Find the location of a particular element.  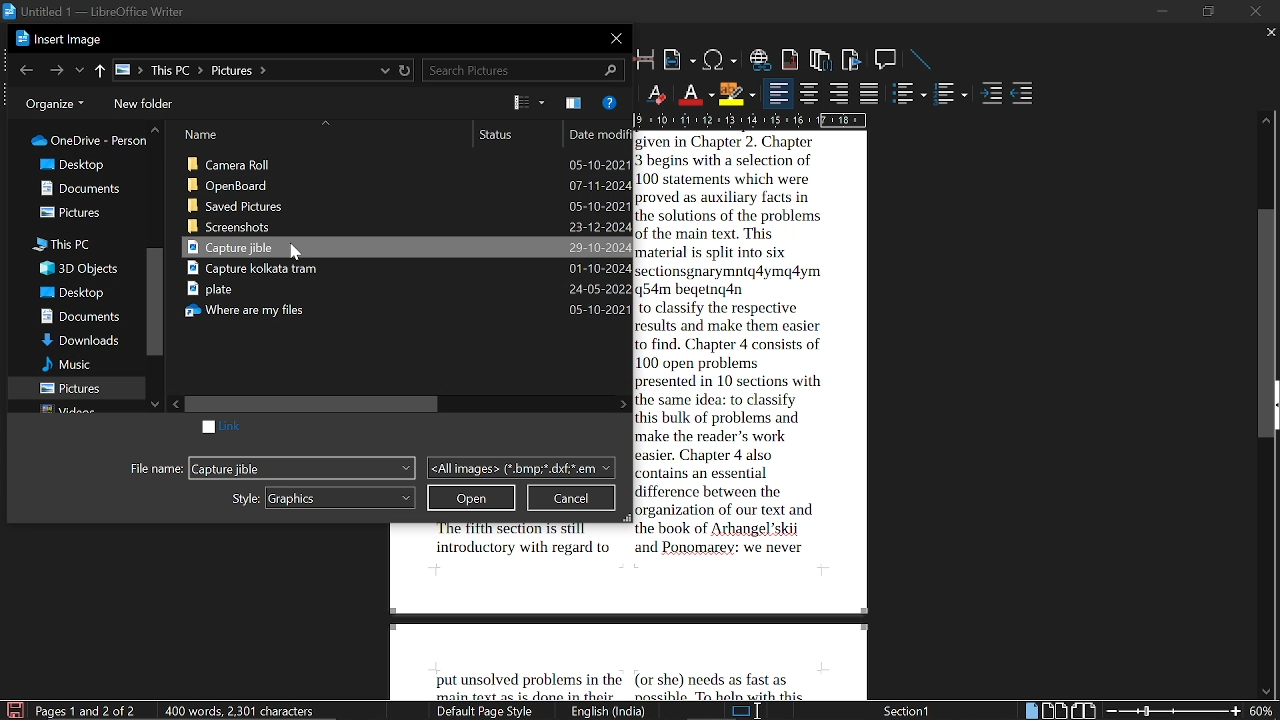

link is located at coordinates (222, 426).